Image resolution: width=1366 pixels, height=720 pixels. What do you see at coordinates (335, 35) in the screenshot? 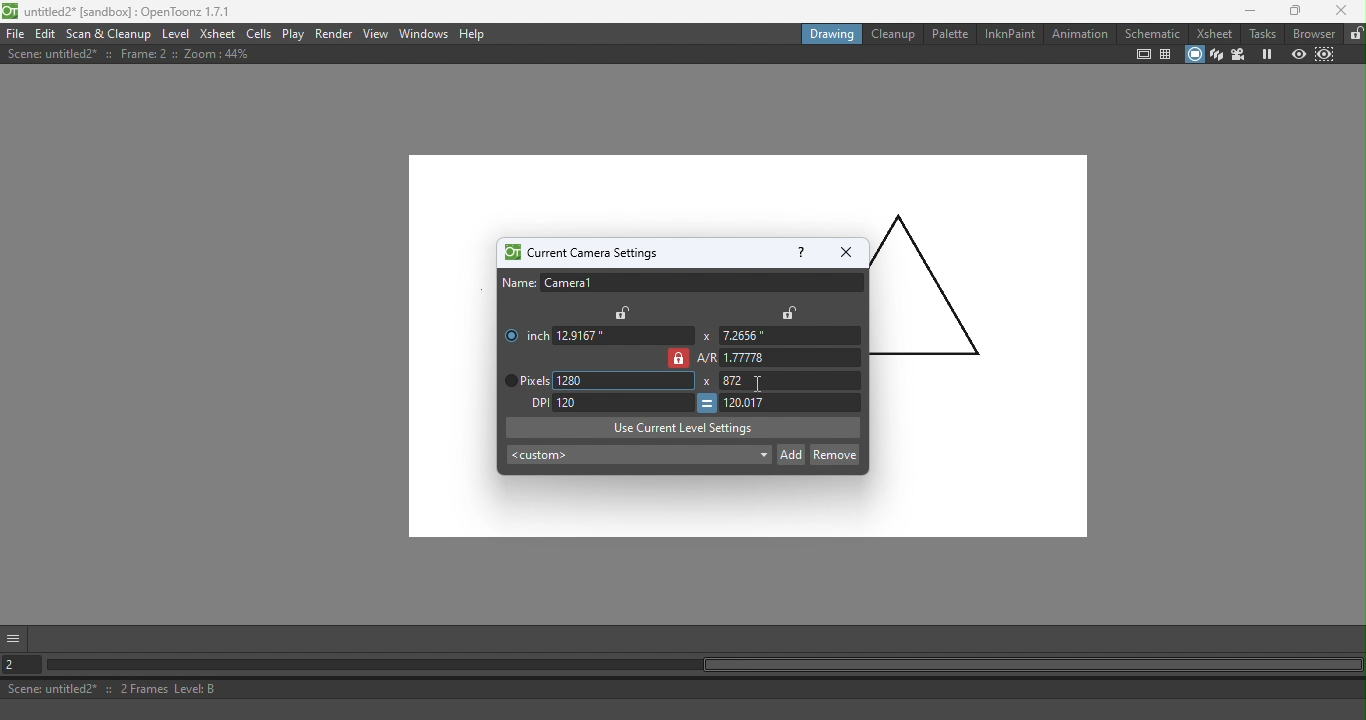
I see `Render` at bounding box center [335, 35].